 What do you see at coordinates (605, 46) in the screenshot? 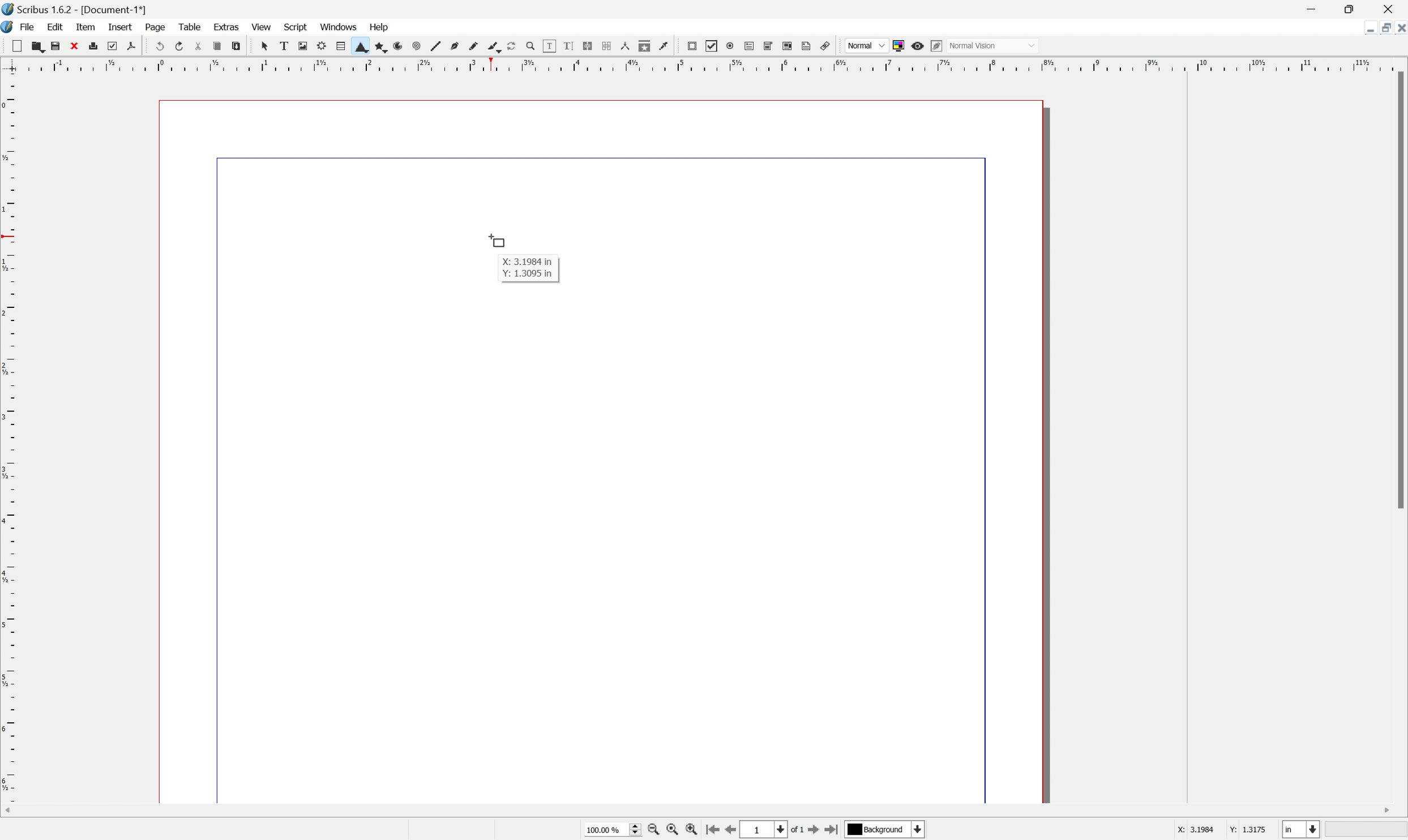
I see `Unlink Text frames` at bounding box center [605, 46].